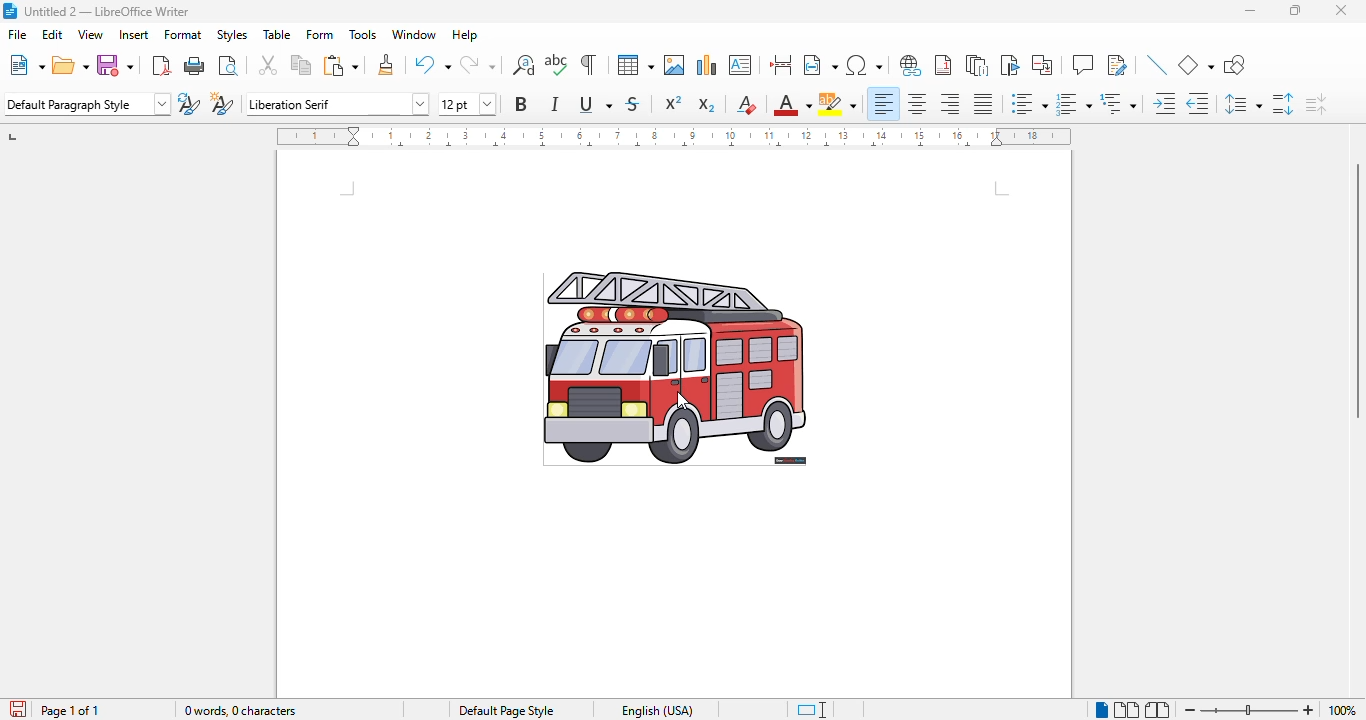 This screenshot has height=720, width=1366. I want to click on insert hyperlink, so click(912, 66).